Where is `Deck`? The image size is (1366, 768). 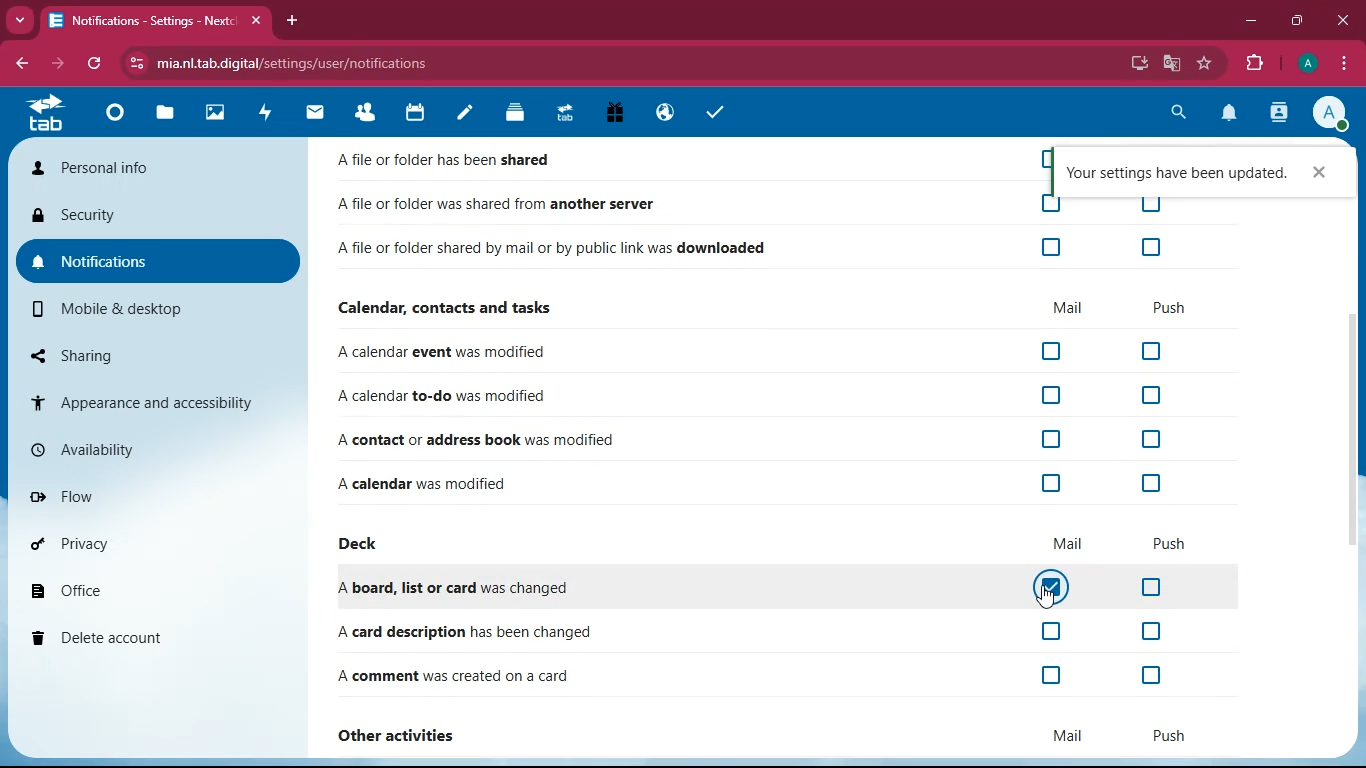
Deck is located at coordinates (511, 114).